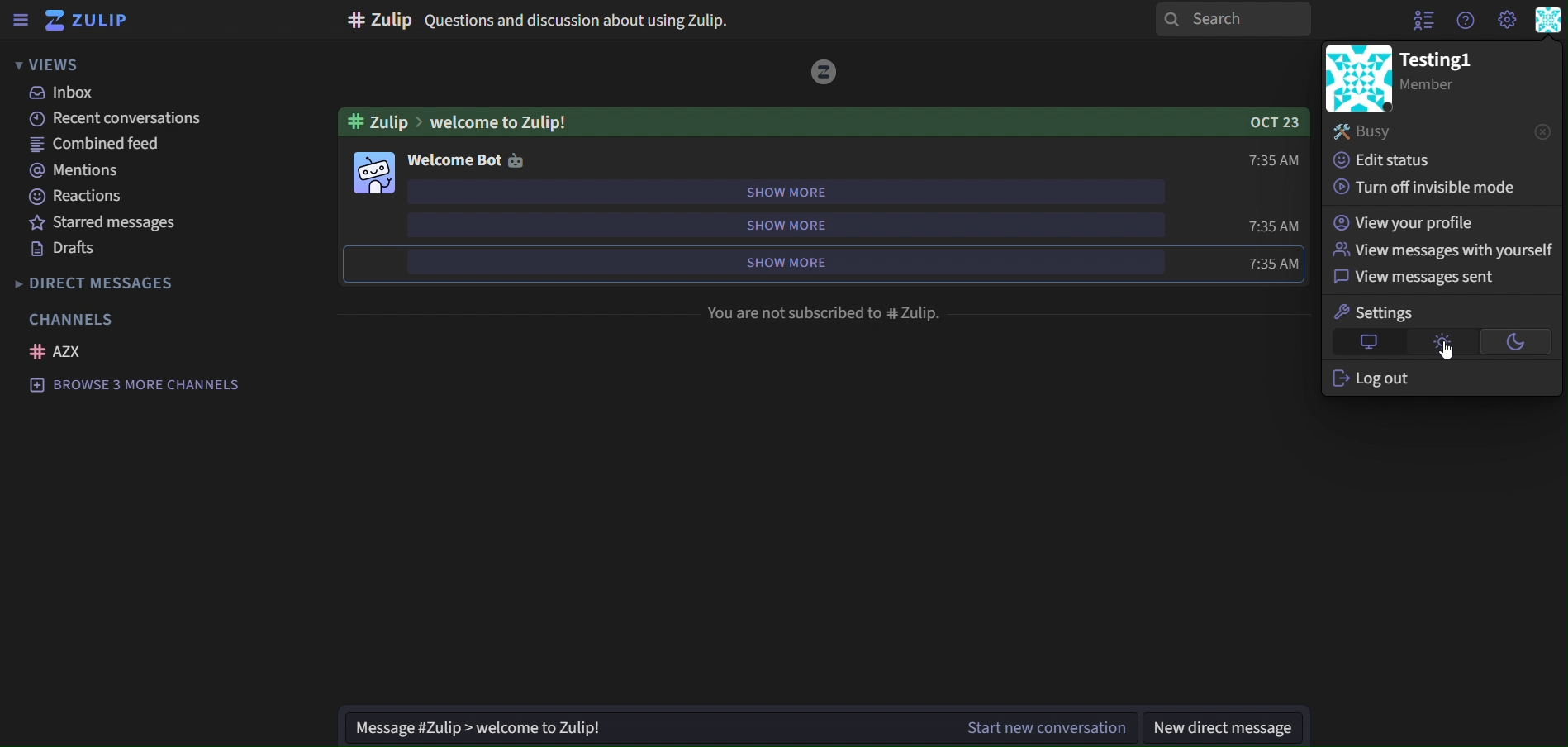 The height and width of the screenshot is (747, 1568). I want to click on view messages sentq, so click(1430, 278).